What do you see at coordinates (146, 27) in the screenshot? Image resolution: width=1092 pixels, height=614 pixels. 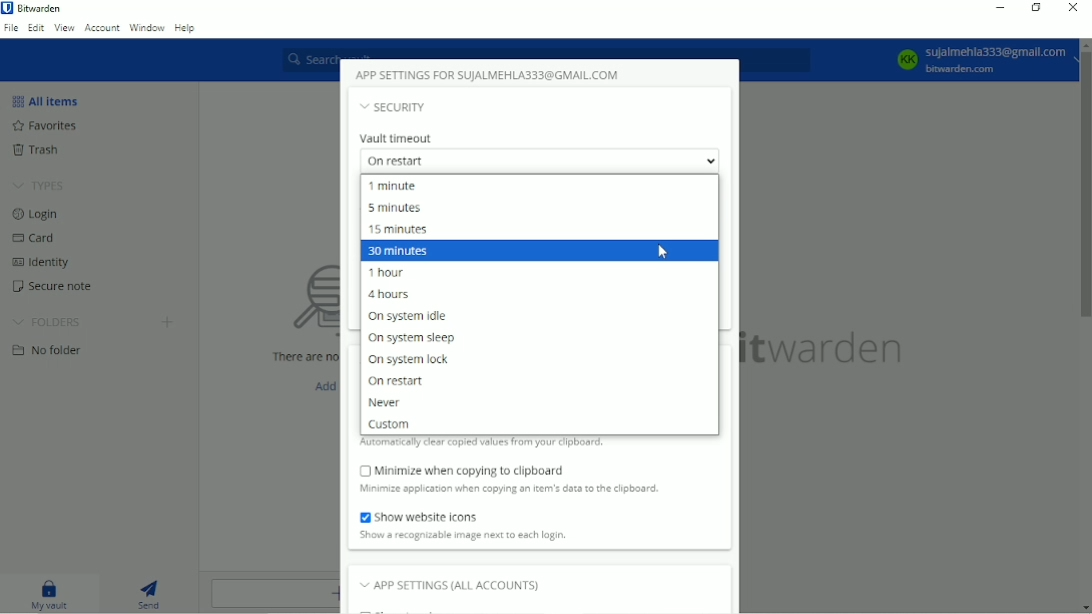 I see `Window` at bounding box center [146, 27].